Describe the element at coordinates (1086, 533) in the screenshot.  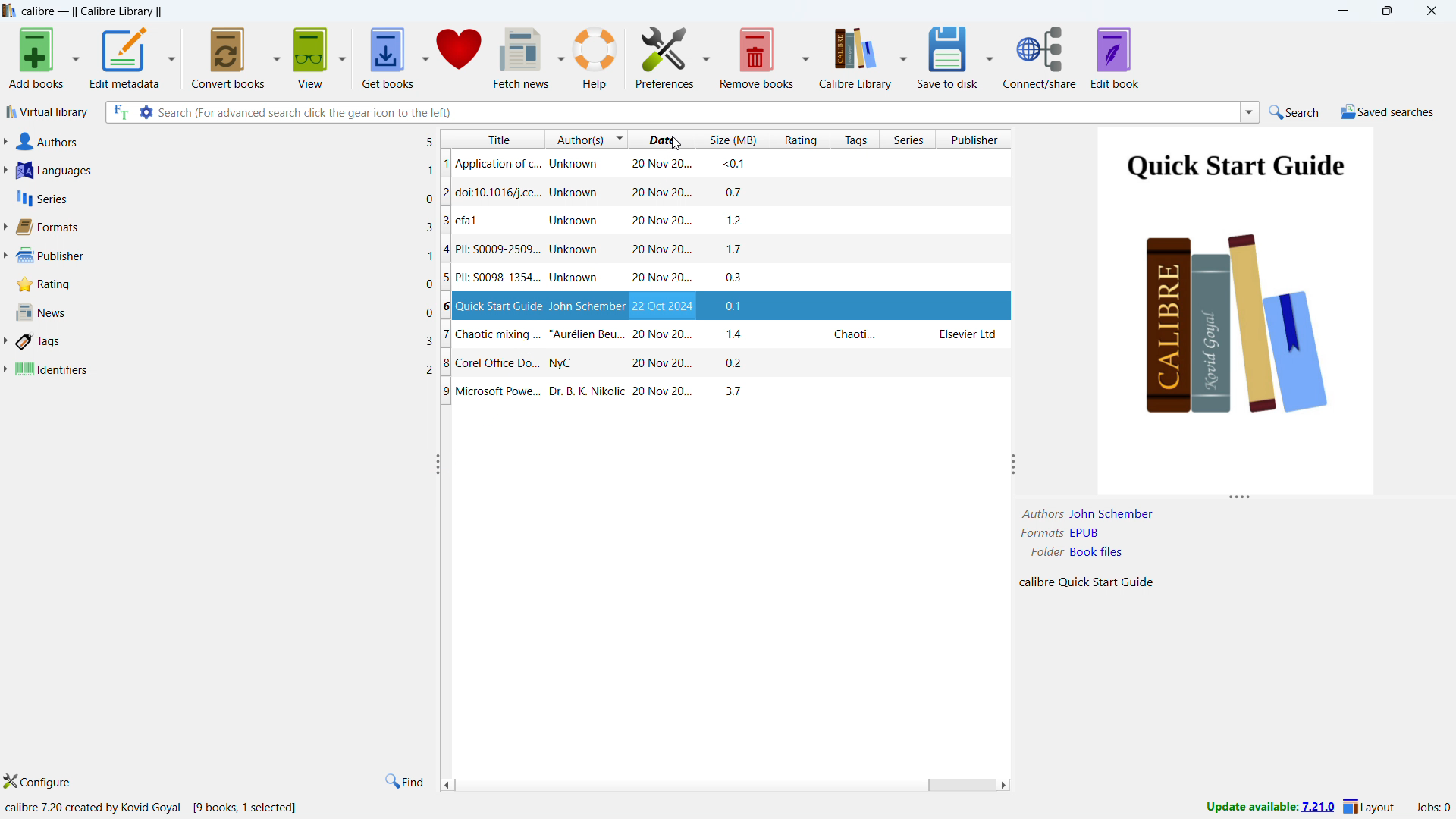
I see `EPUB` at that location.